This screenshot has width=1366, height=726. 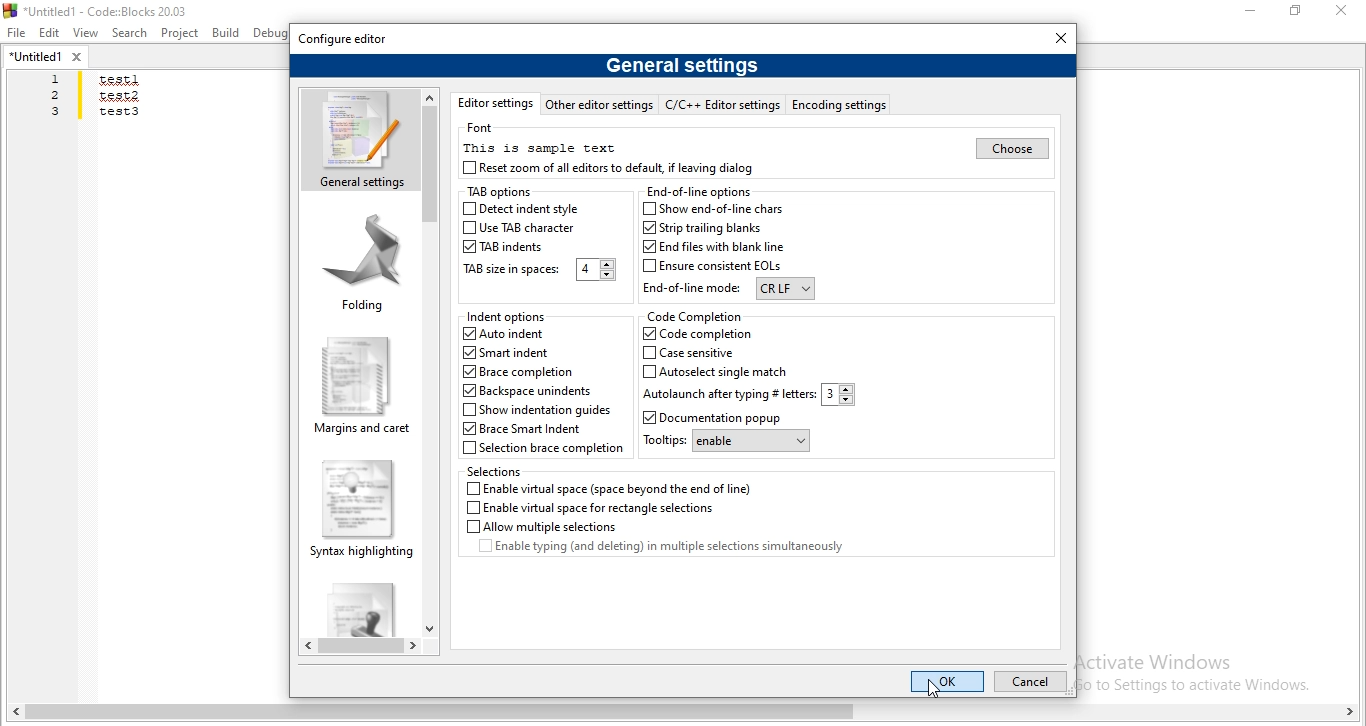 I want to click on 1 2 3, so click(x=57, y=96).